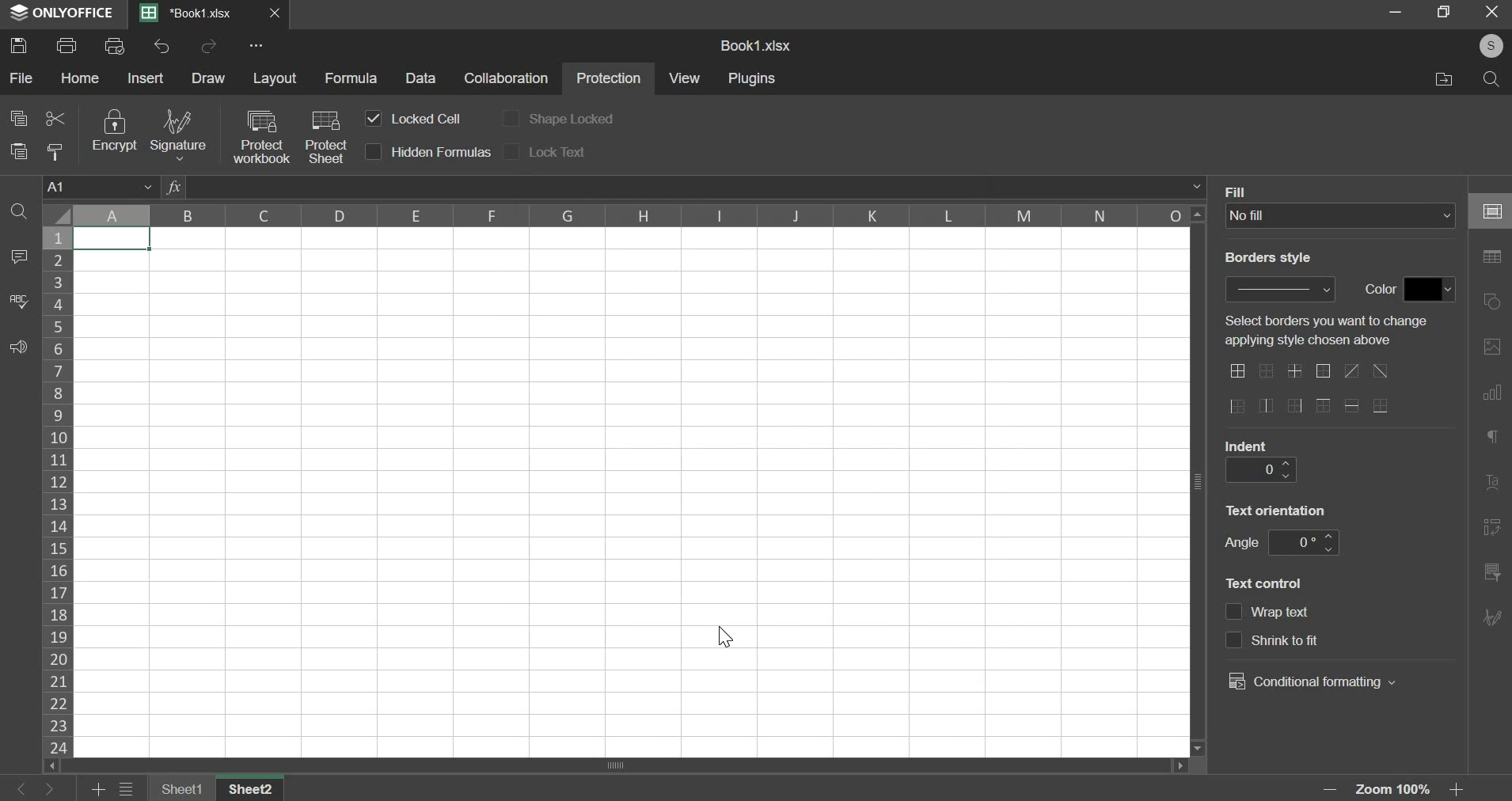  What do you see at coordinates (1267, 582) in the screenshot?
I see `text control` at bounding box center [1267, 582].